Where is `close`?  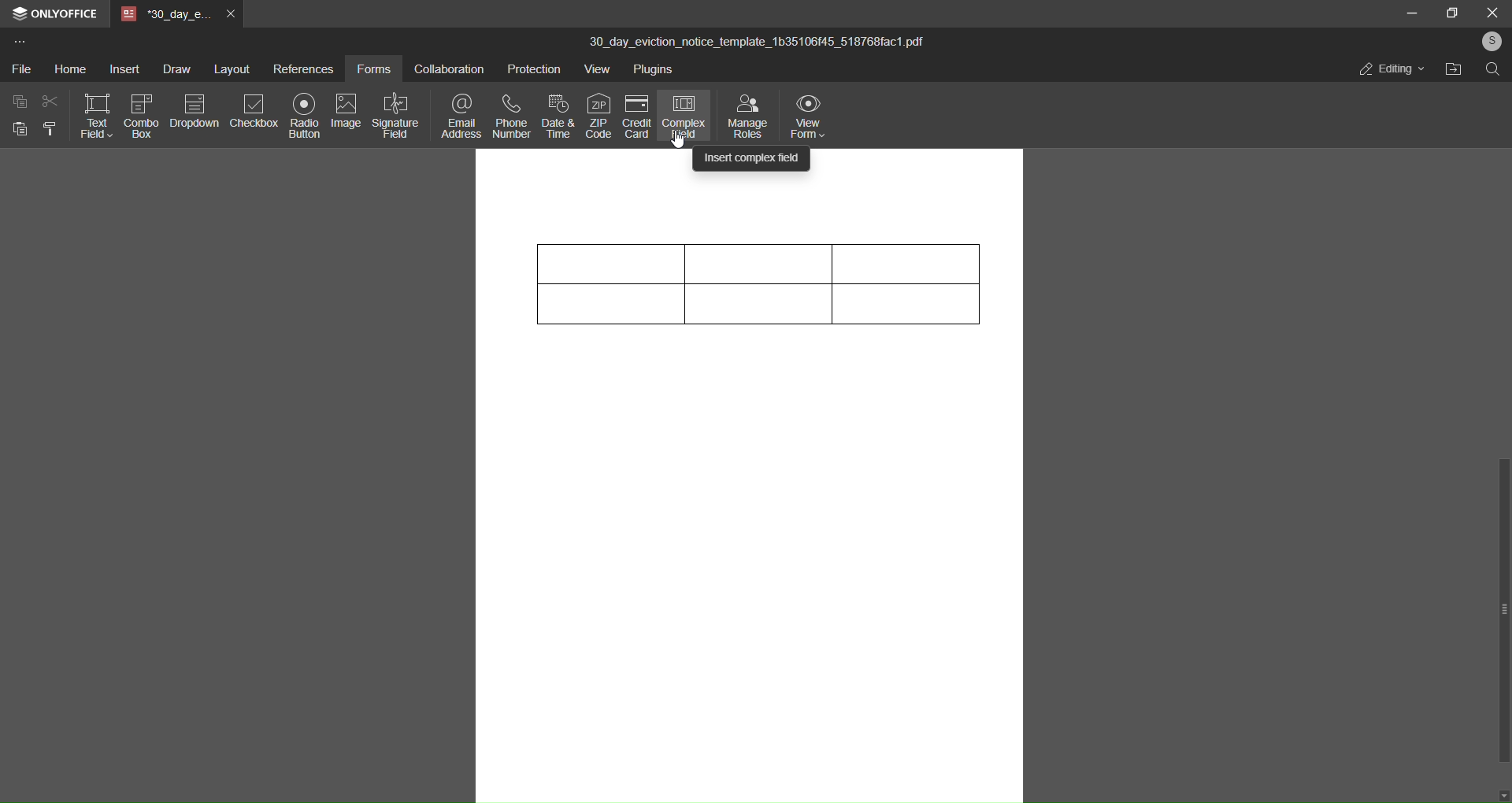 close is located at coordinates (1490, 12).